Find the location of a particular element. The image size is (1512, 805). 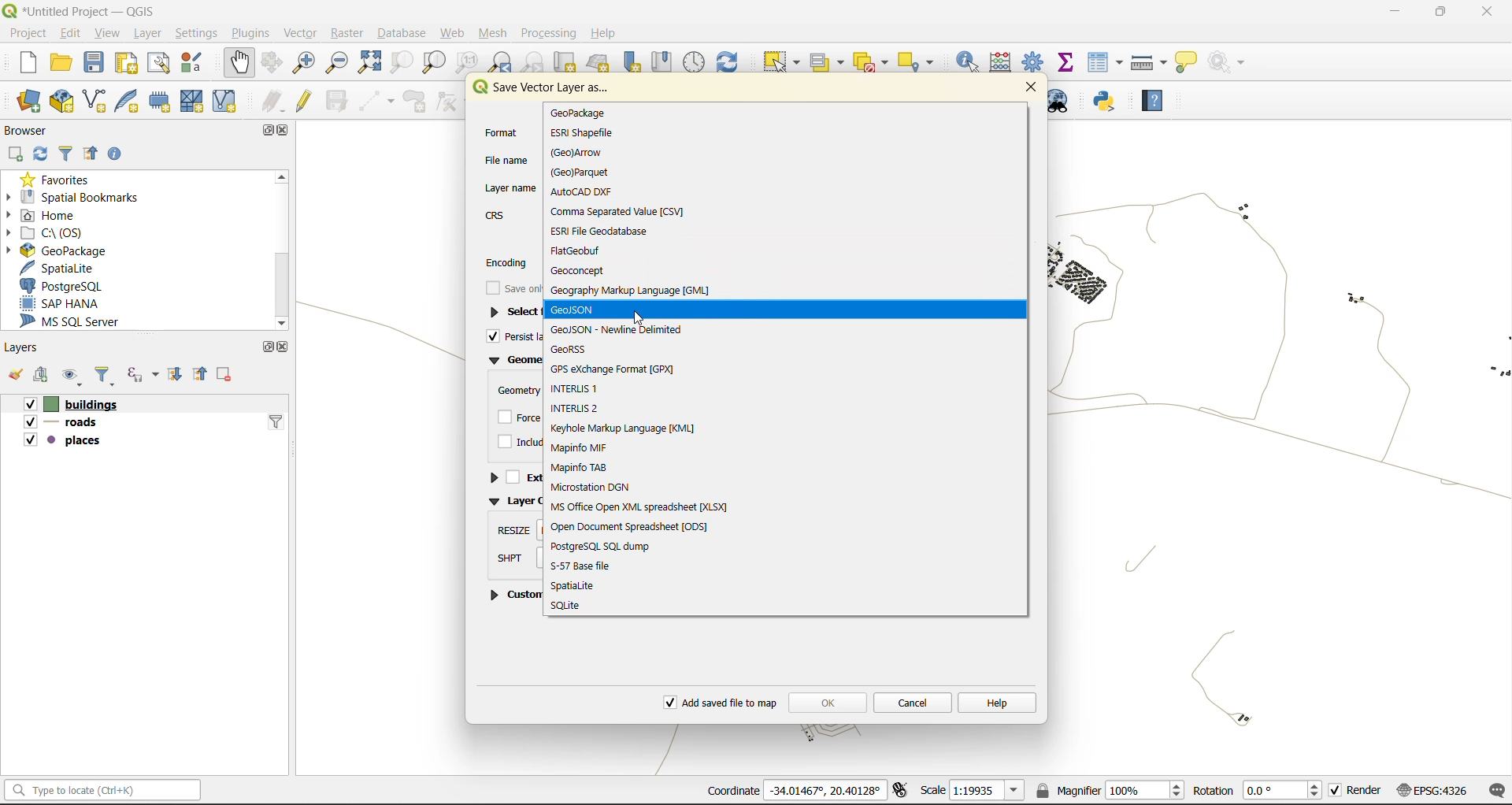

database is located at coordinates (405, 32).